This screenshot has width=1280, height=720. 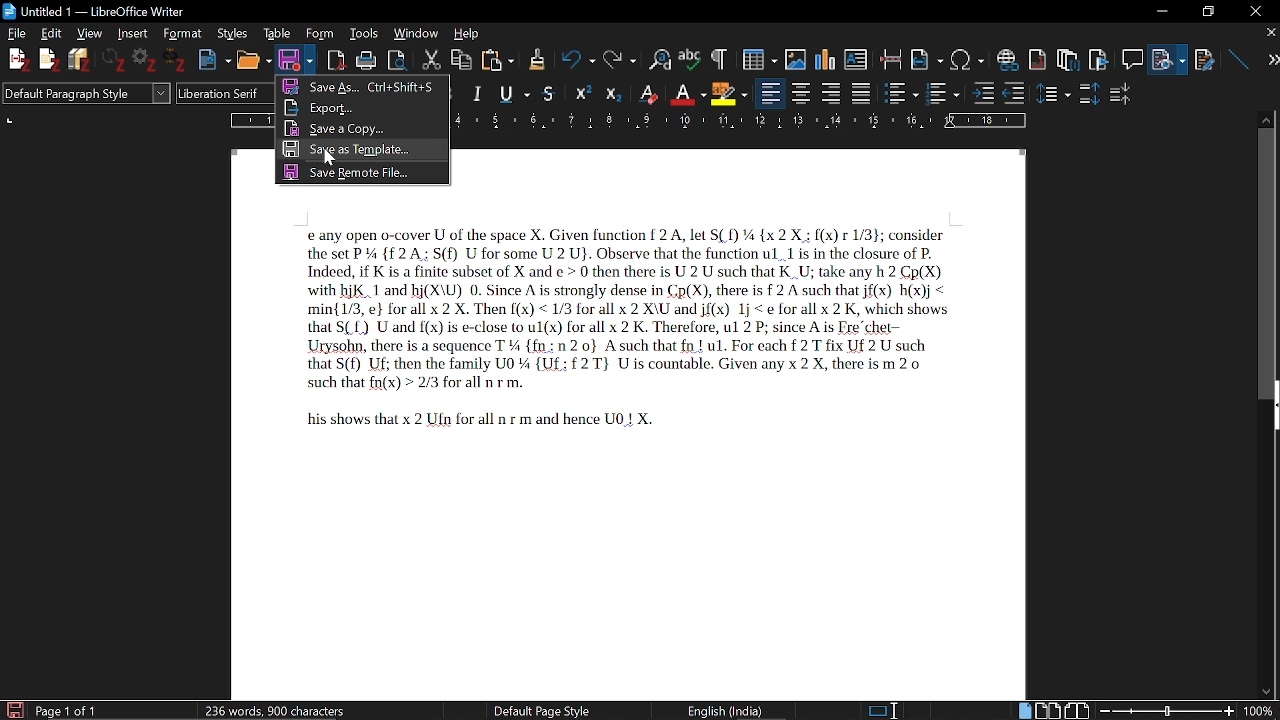 What do you see at coordinates (337, 57) in the screenshot?
I see `Import as pdf` at bounding box center [337, 57].